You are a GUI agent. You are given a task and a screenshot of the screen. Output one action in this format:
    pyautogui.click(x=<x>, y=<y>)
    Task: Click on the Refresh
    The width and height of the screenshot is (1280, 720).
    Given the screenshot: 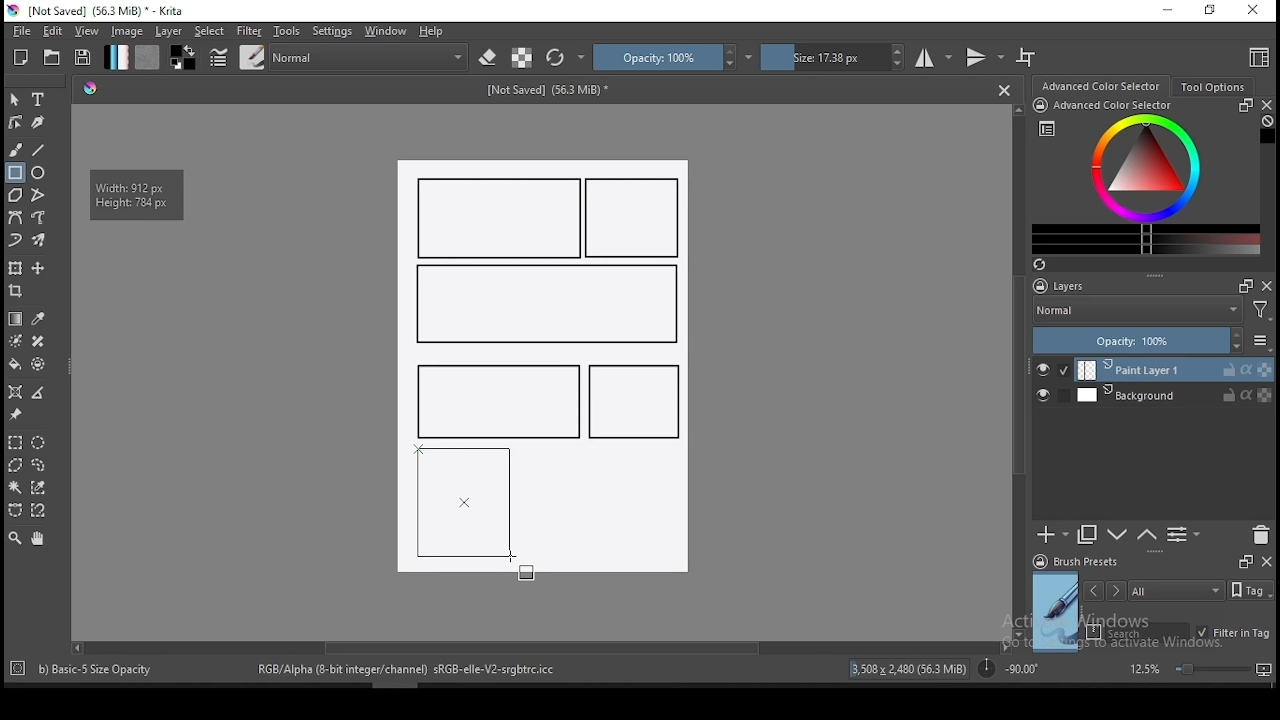 What is the action you would take?
    pyautogui.click(x=1047, y=266)
    